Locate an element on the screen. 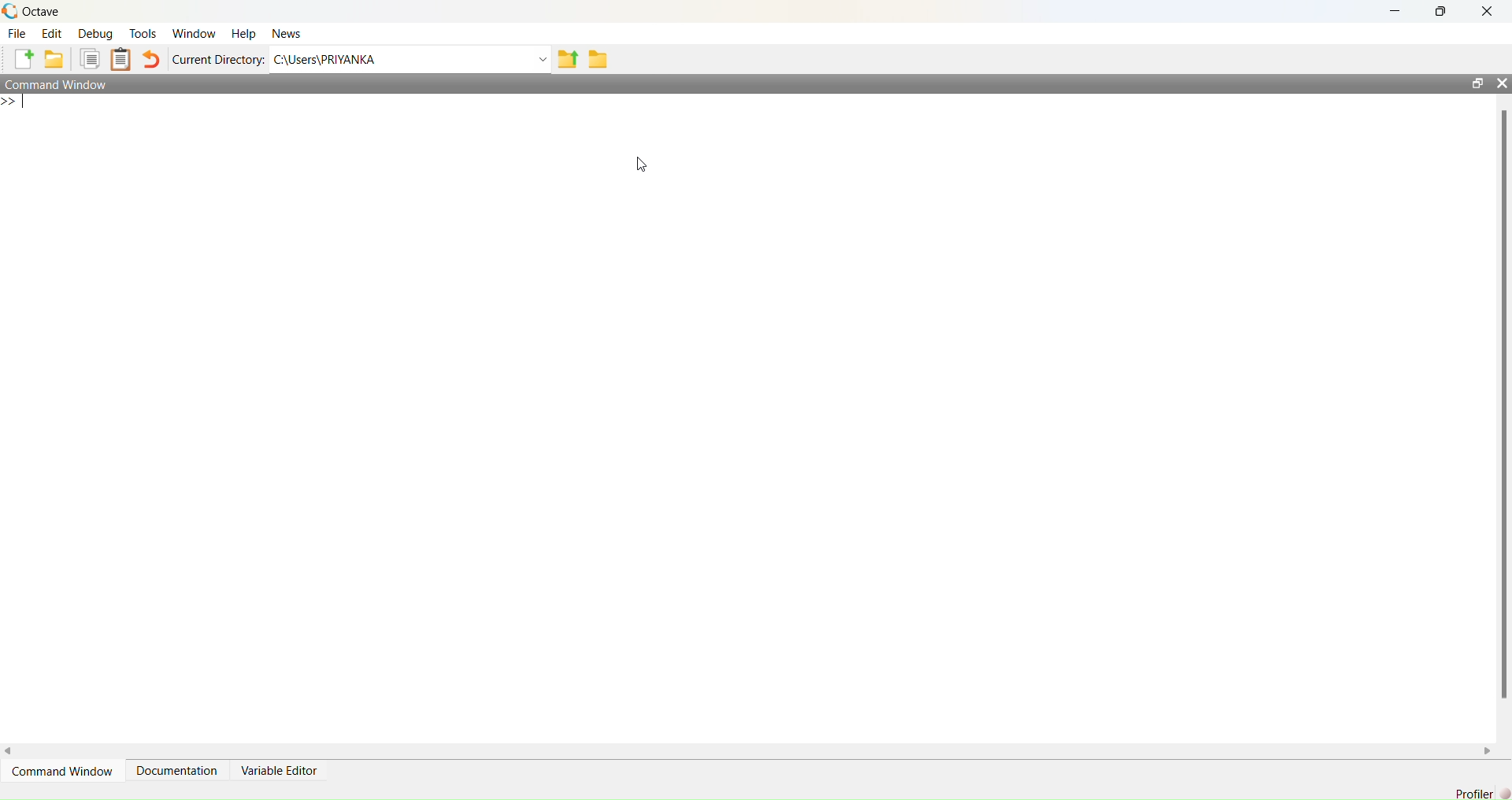 This screenshot has width=1512, height=800. folder is located at coordinates (598, 59).